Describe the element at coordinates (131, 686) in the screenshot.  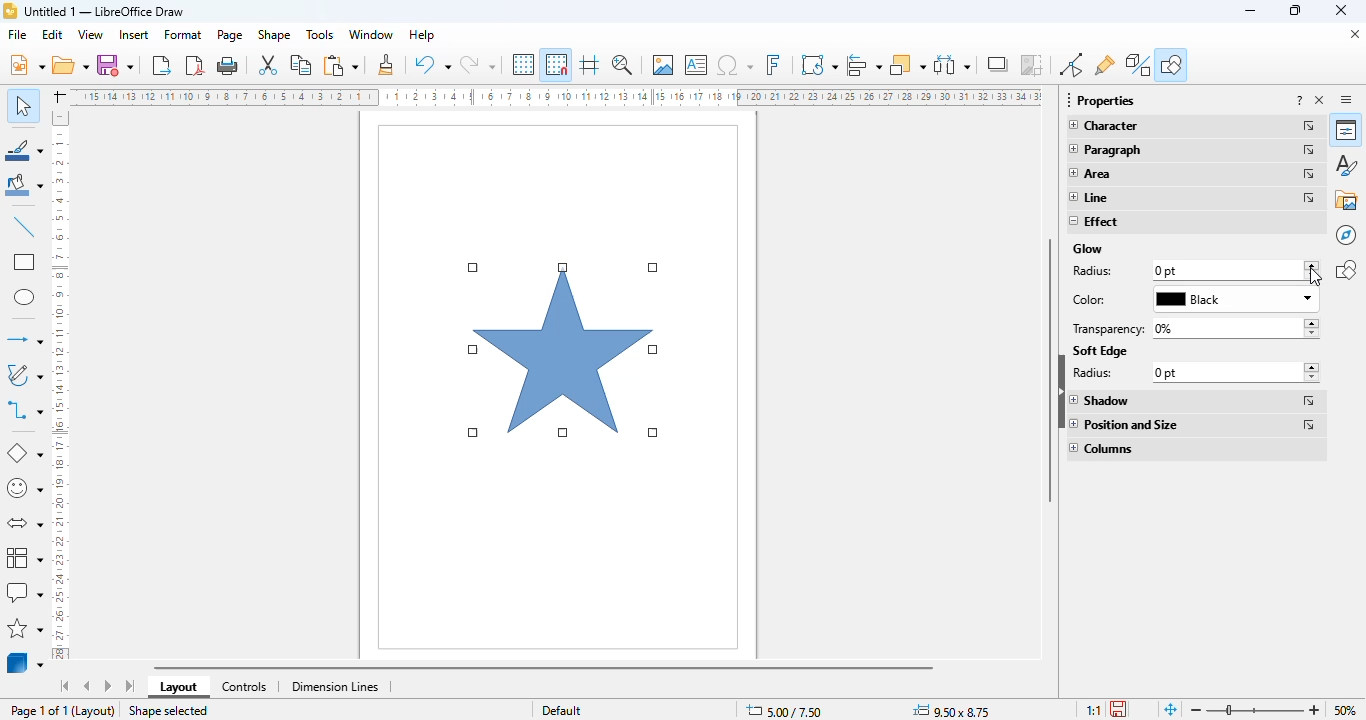
I see `scroll to last sheet` at that location.